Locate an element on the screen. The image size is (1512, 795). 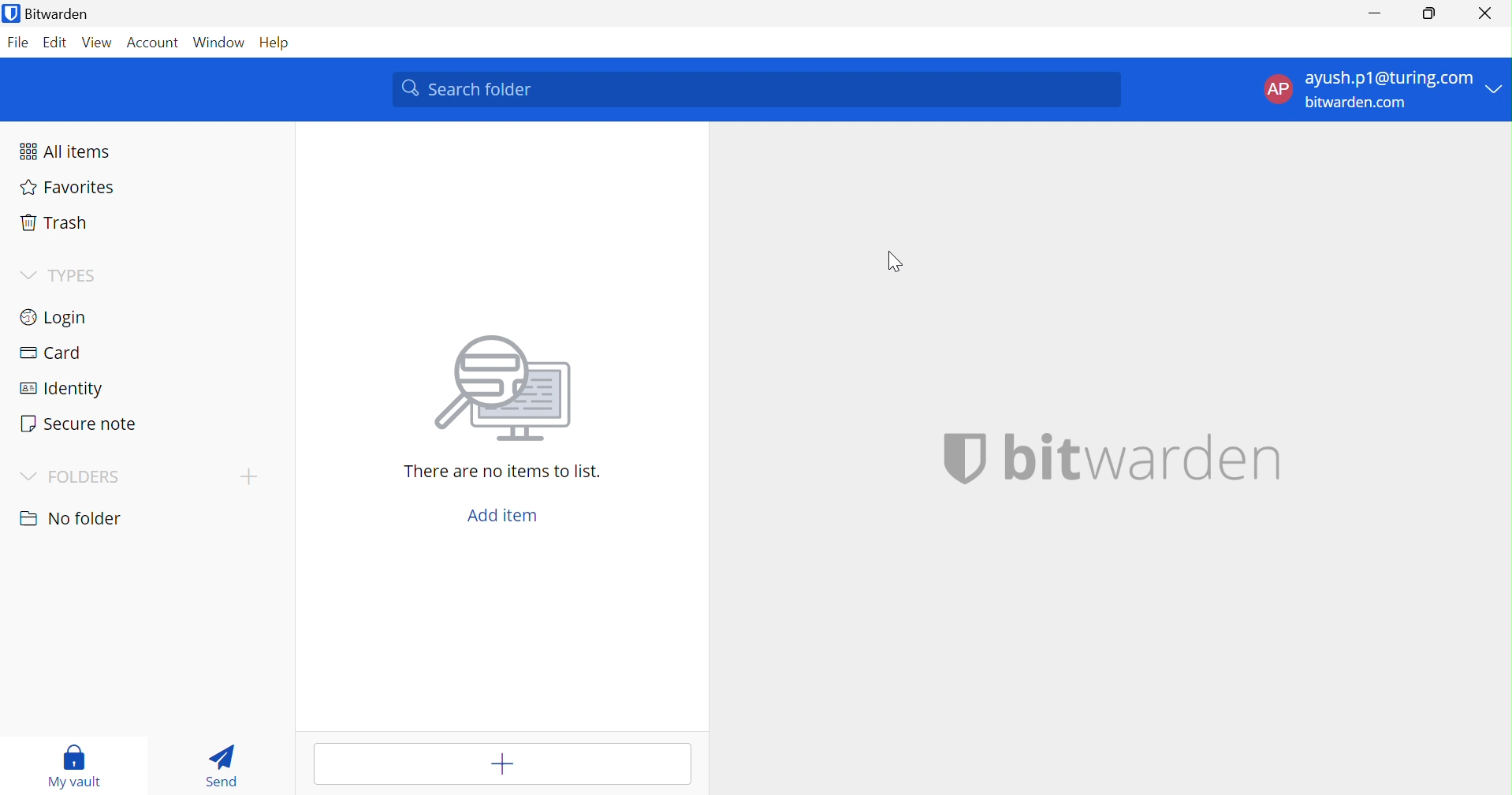
Drop Down is located at coordinates (30, 478).